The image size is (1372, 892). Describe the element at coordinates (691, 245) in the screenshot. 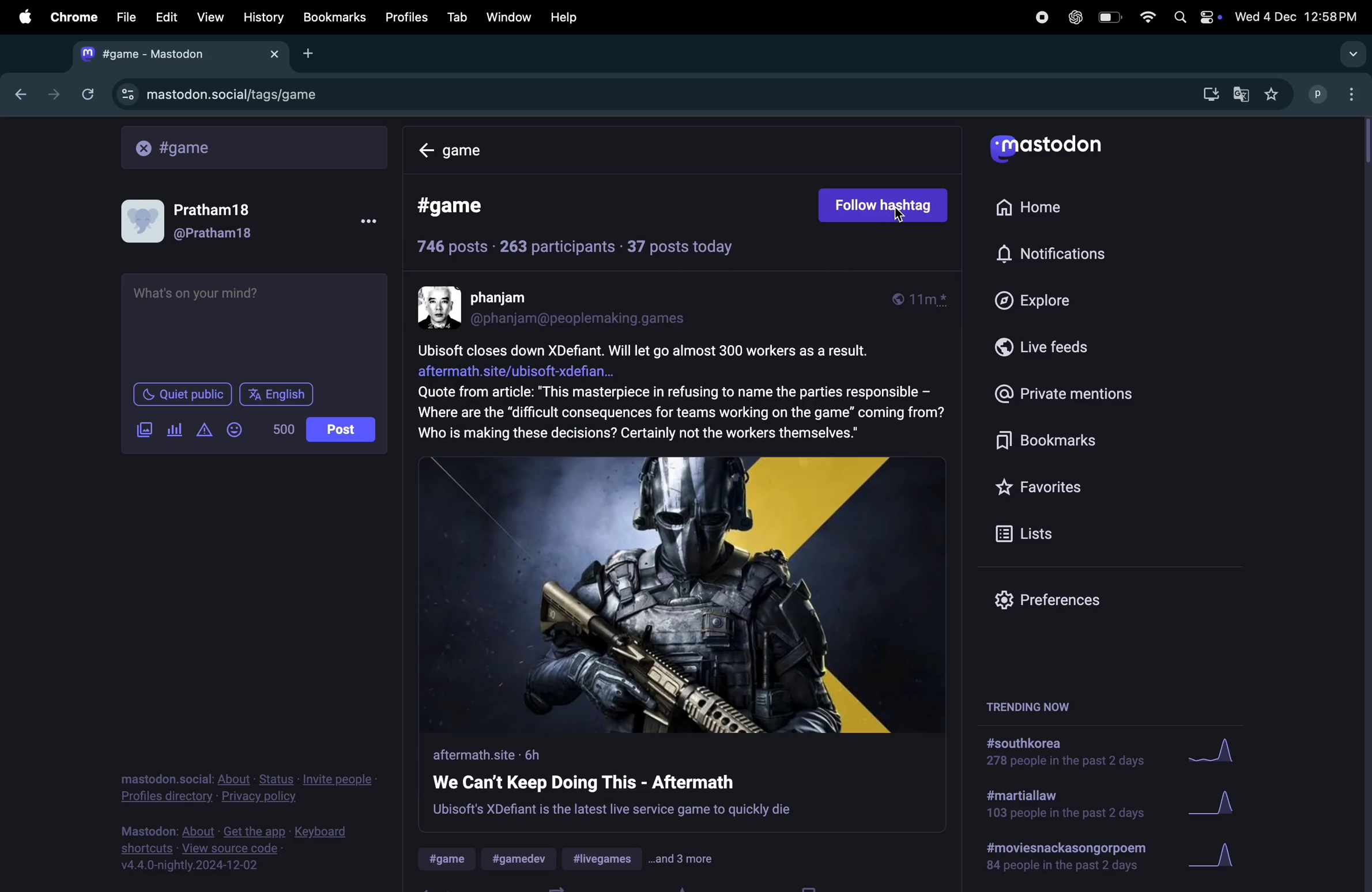

I see `` at that location.